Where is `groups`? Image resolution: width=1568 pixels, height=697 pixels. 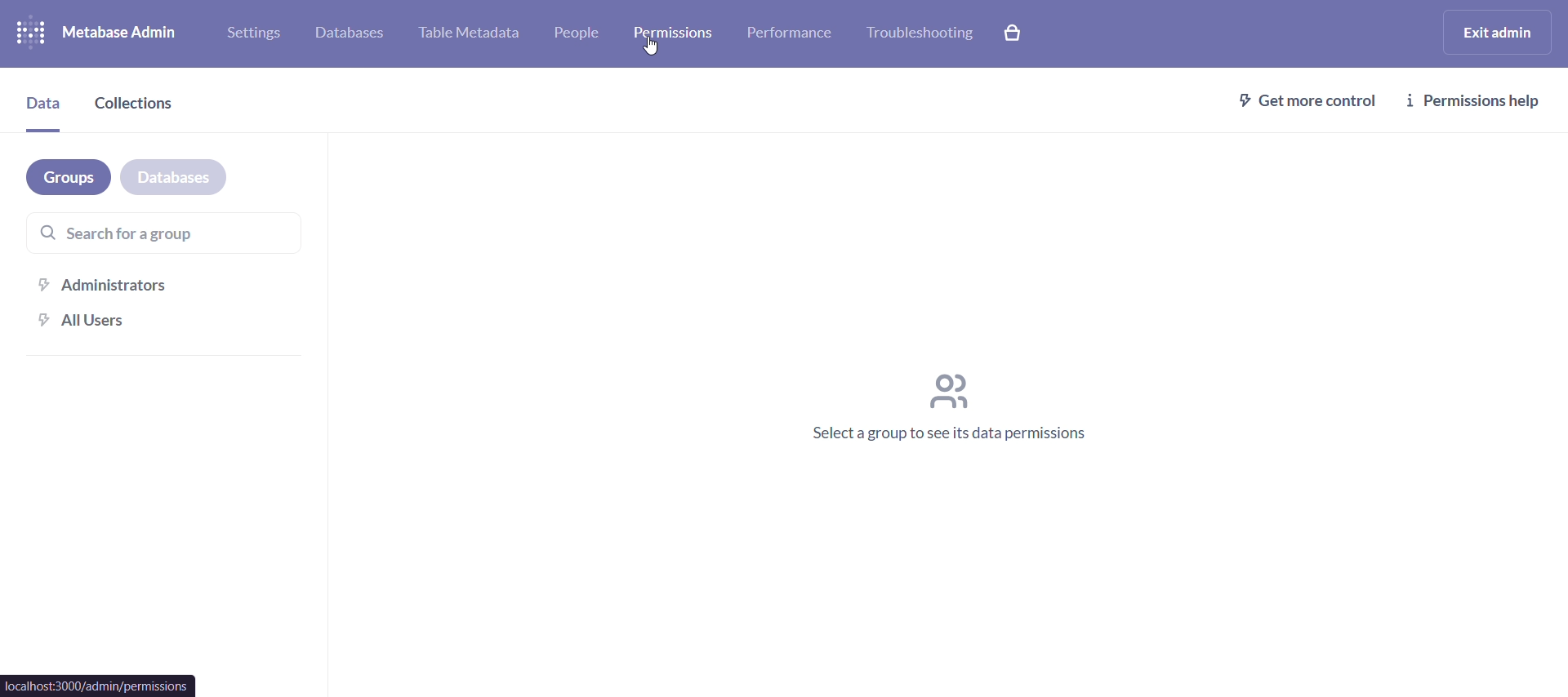
groups is located at coordinates (70, 175).